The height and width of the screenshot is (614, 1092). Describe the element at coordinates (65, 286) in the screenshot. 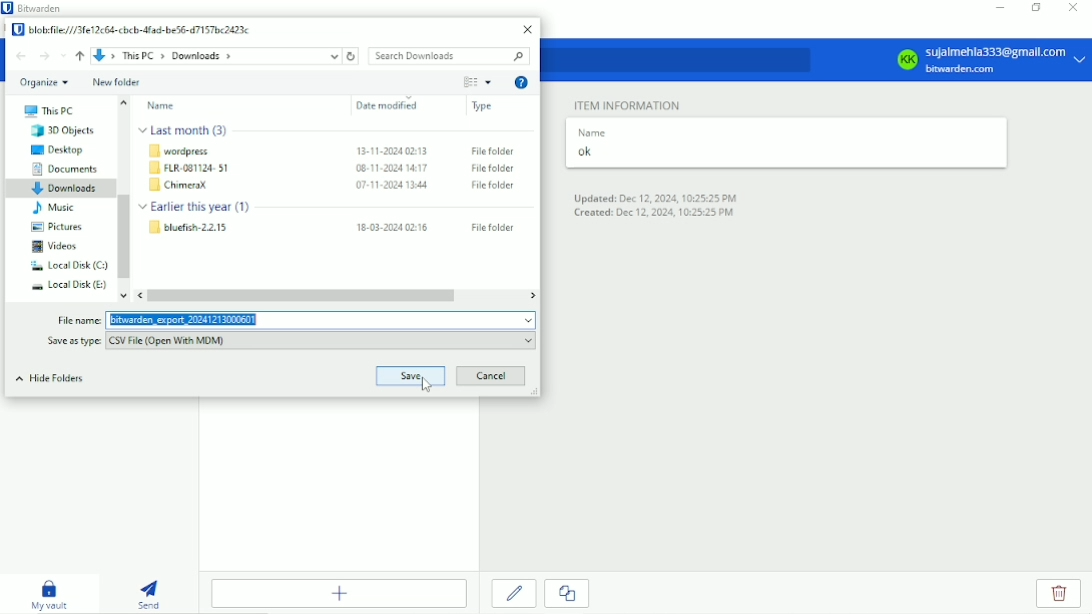

I see `Local disk (E:)` at that location.